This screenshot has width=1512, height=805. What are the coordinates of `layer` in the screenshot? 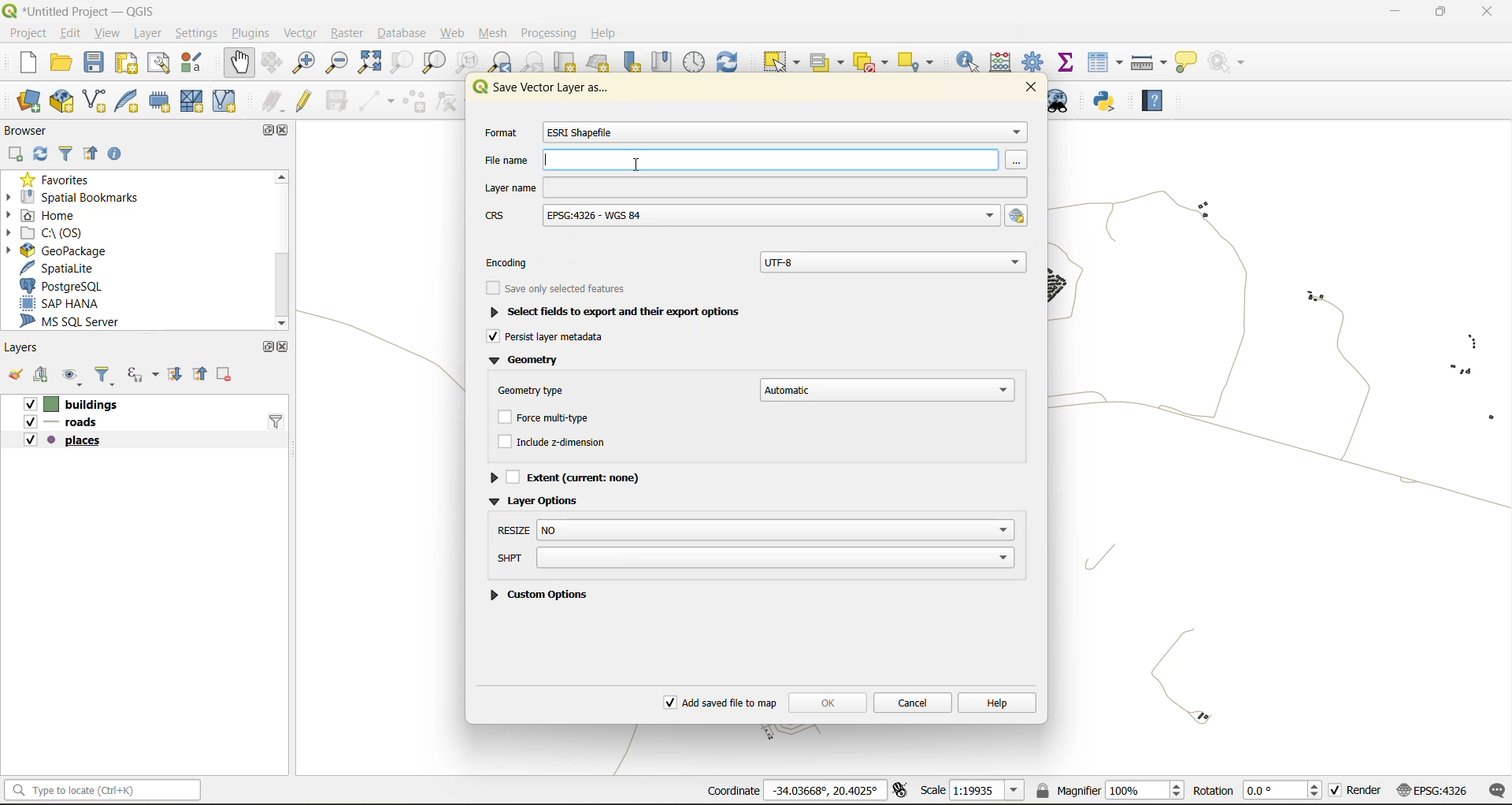 It's located at (147, 33).